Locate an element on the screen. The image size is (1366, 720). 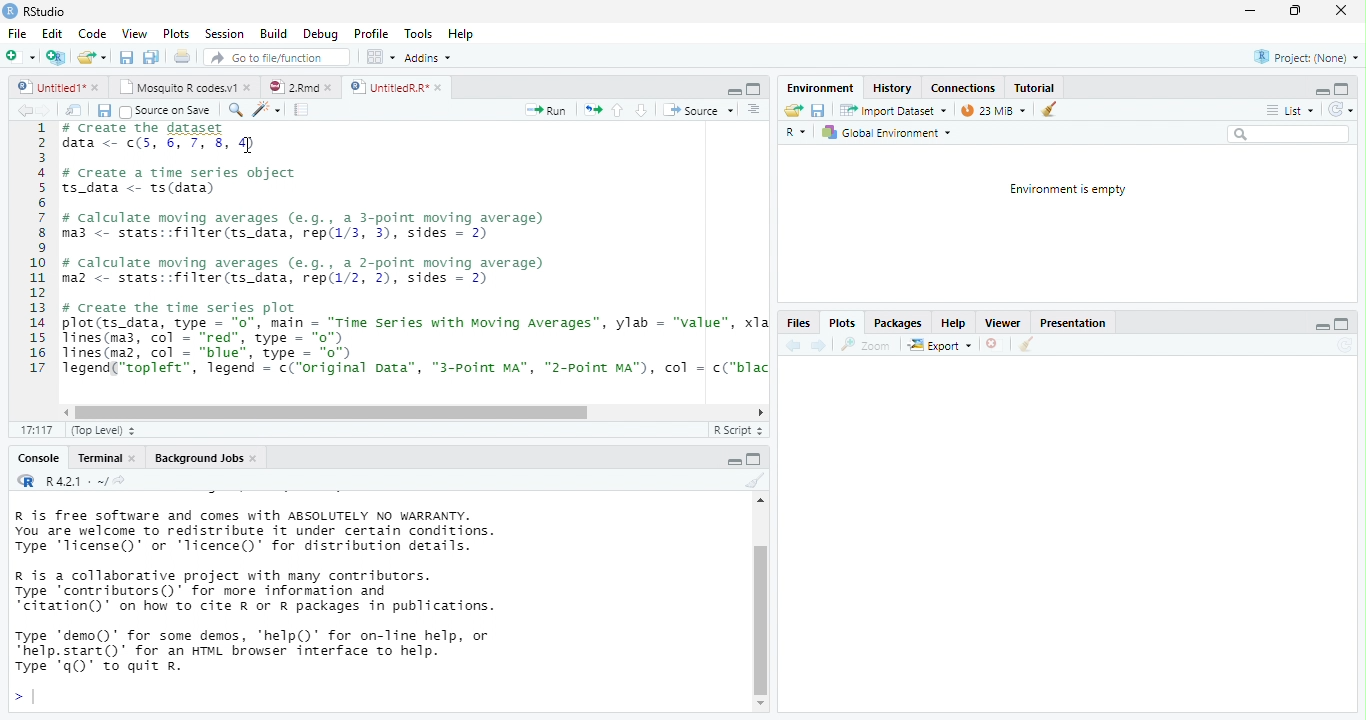
Run is located at coordinates (547, 111).